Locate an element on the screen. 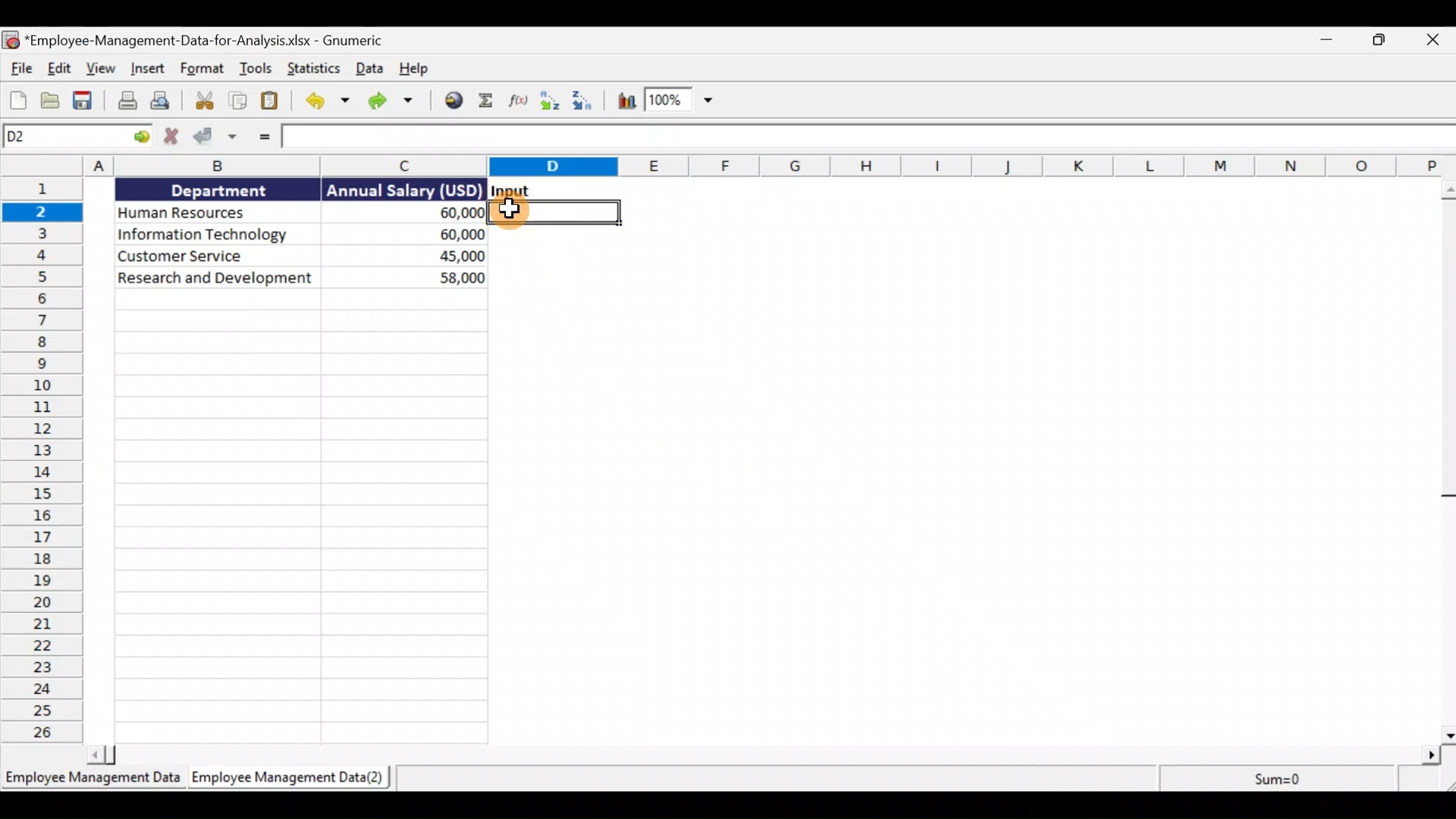  cells is located at coordinates (301, 515).